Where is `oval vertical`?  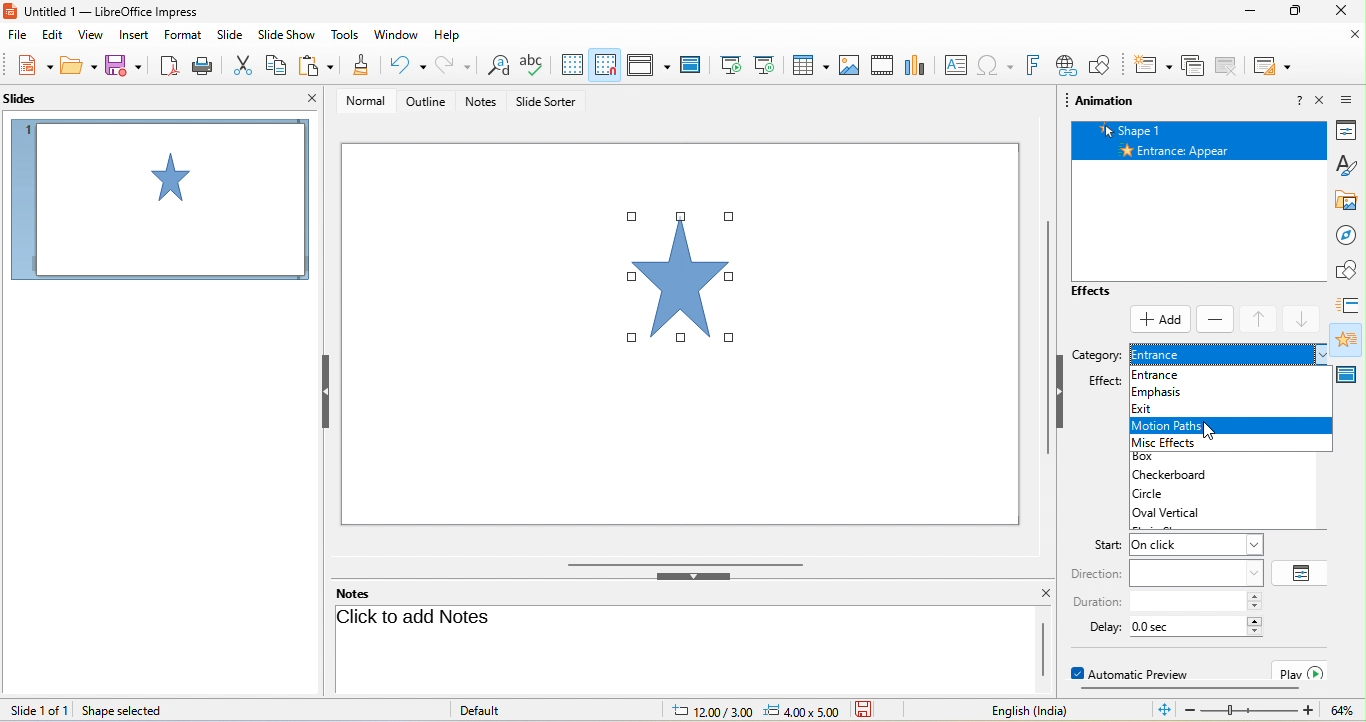 oval vertical is located at coordinates (1181, 513).